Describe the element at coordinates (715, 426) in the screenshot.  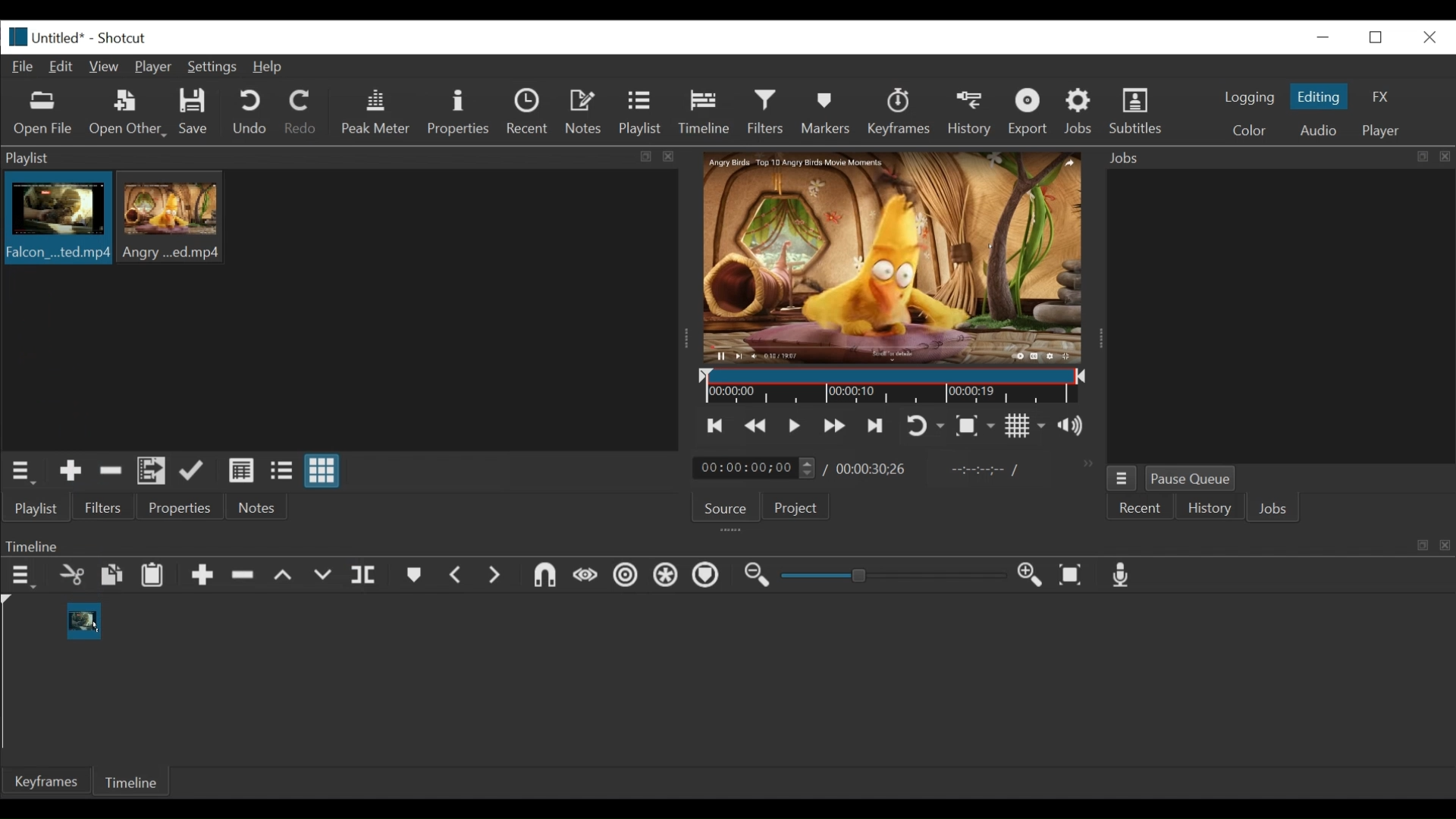
I see `skip to the previous point` at that location.